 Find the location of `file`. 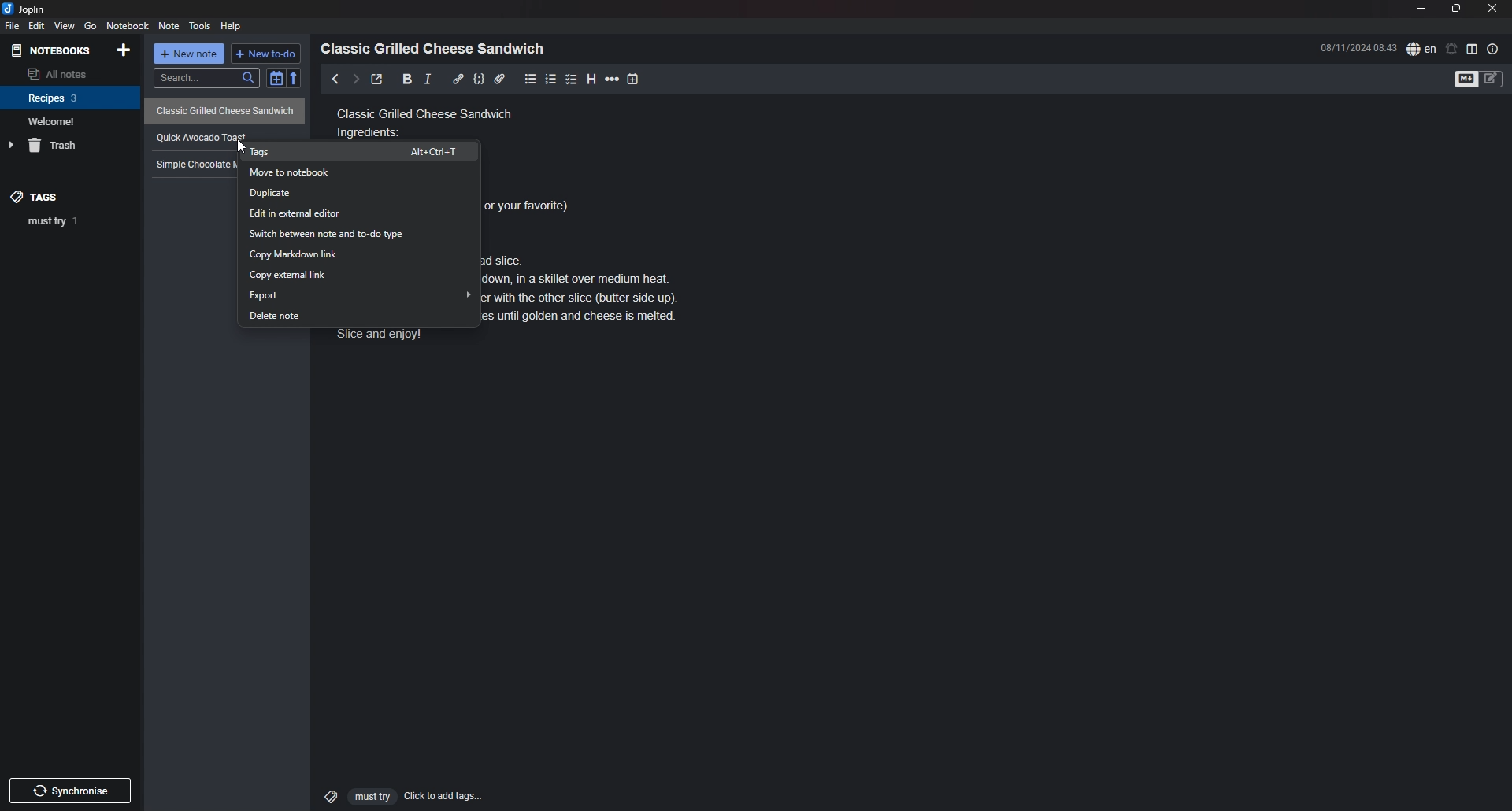

file is located at coordinates (11, 27).